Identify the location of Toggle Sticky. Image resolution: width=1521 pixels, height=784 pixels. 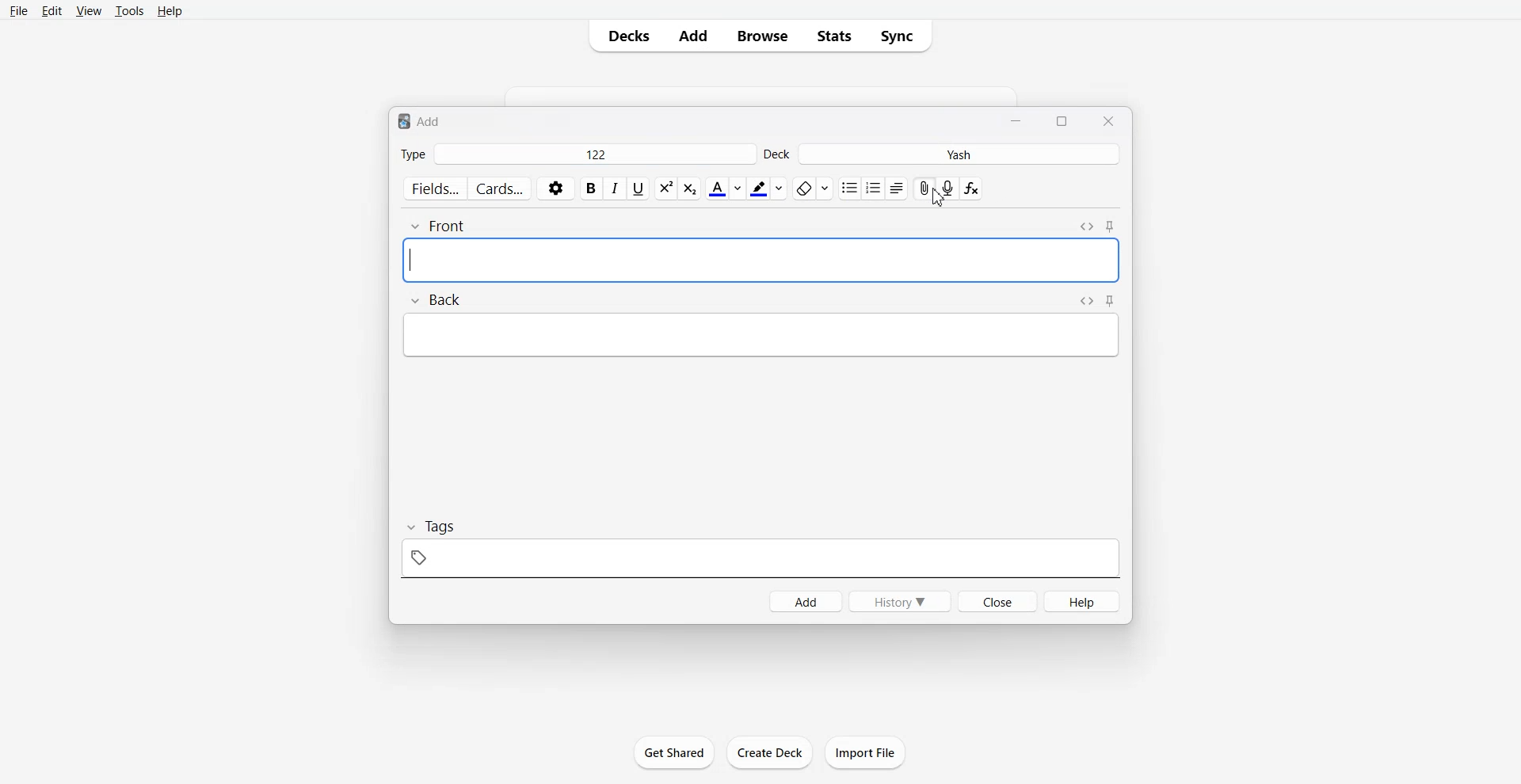
(1111, 301).